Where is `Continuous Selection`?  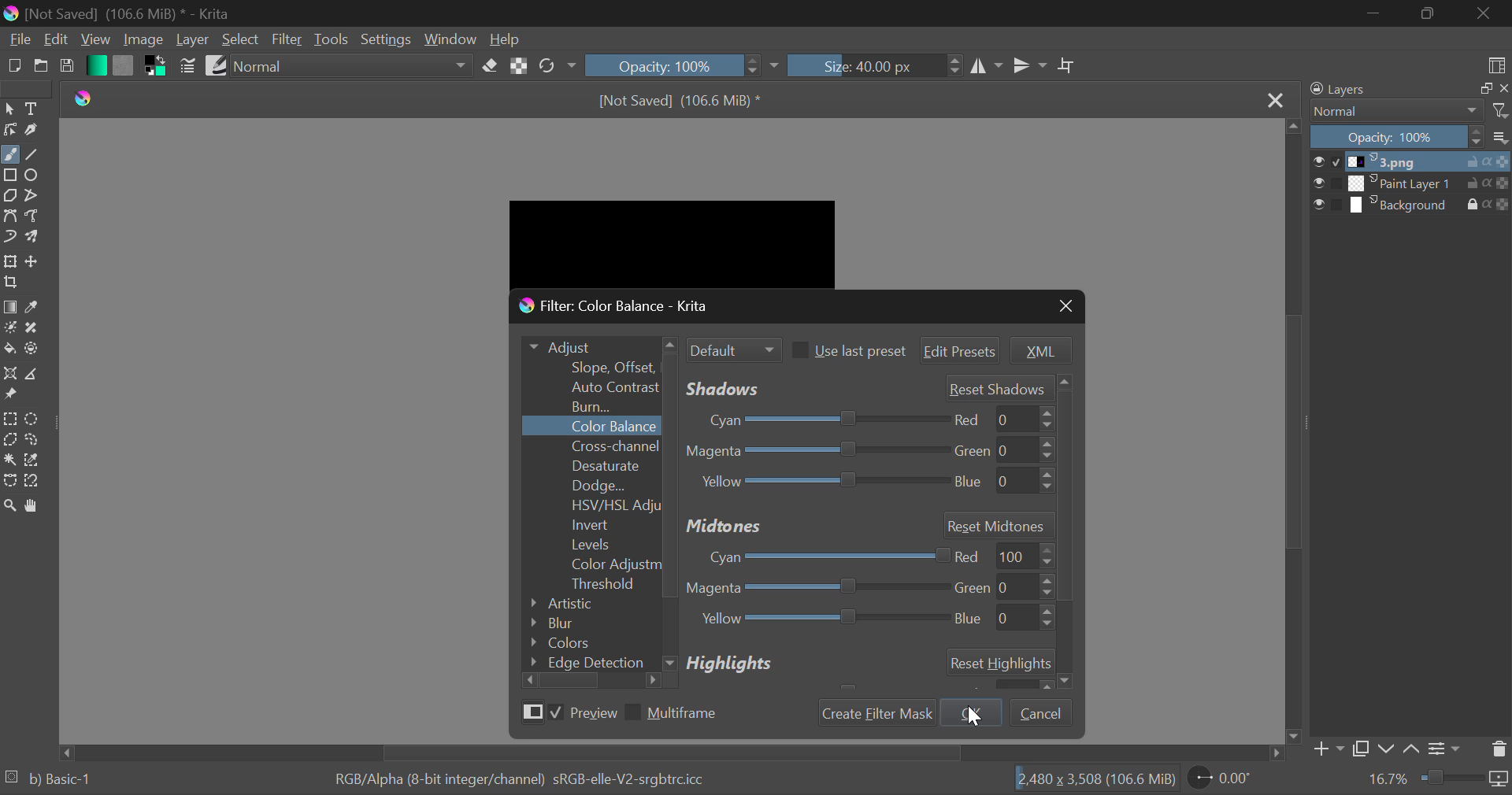 Continuous Selection is located at coordinates (9, 462).